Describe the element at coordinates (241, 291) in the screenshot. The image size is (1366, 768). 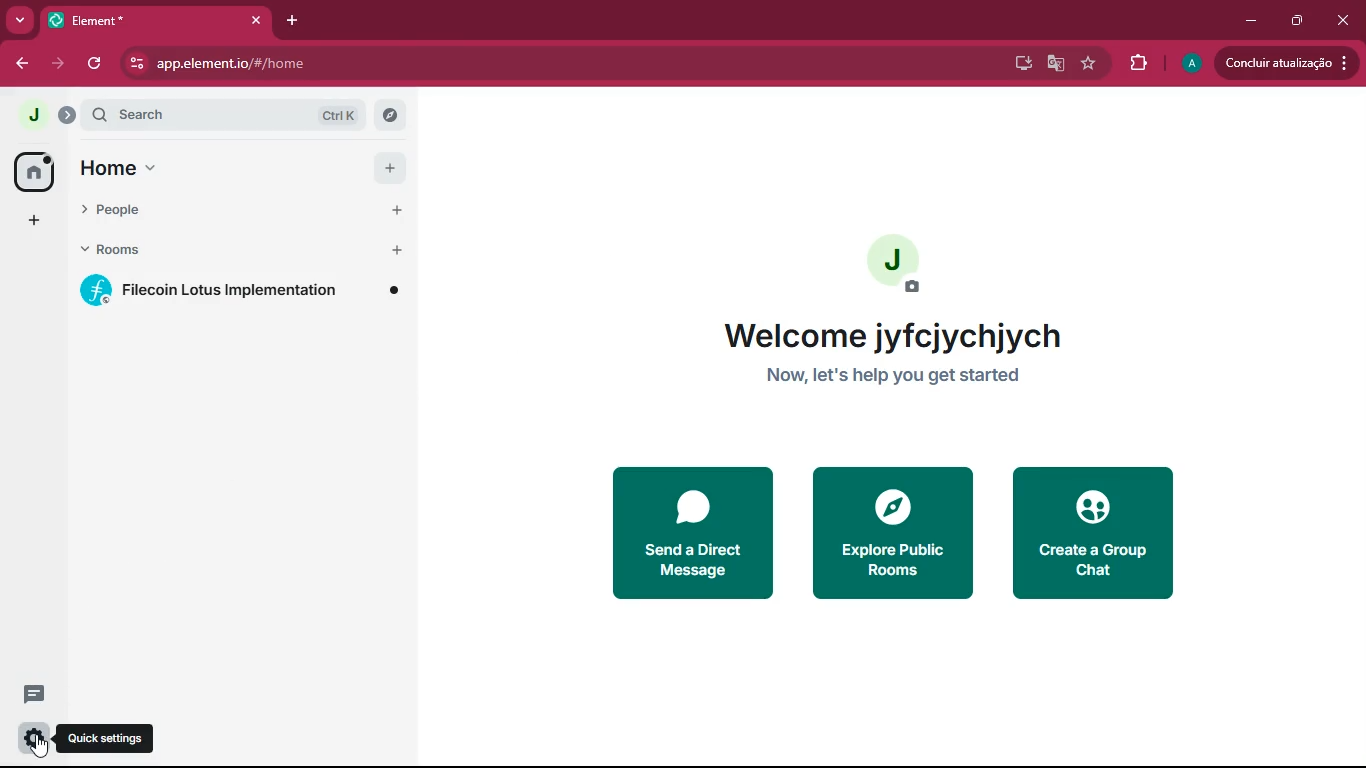
I see `Filecoin Lotus Implementation` at that location.